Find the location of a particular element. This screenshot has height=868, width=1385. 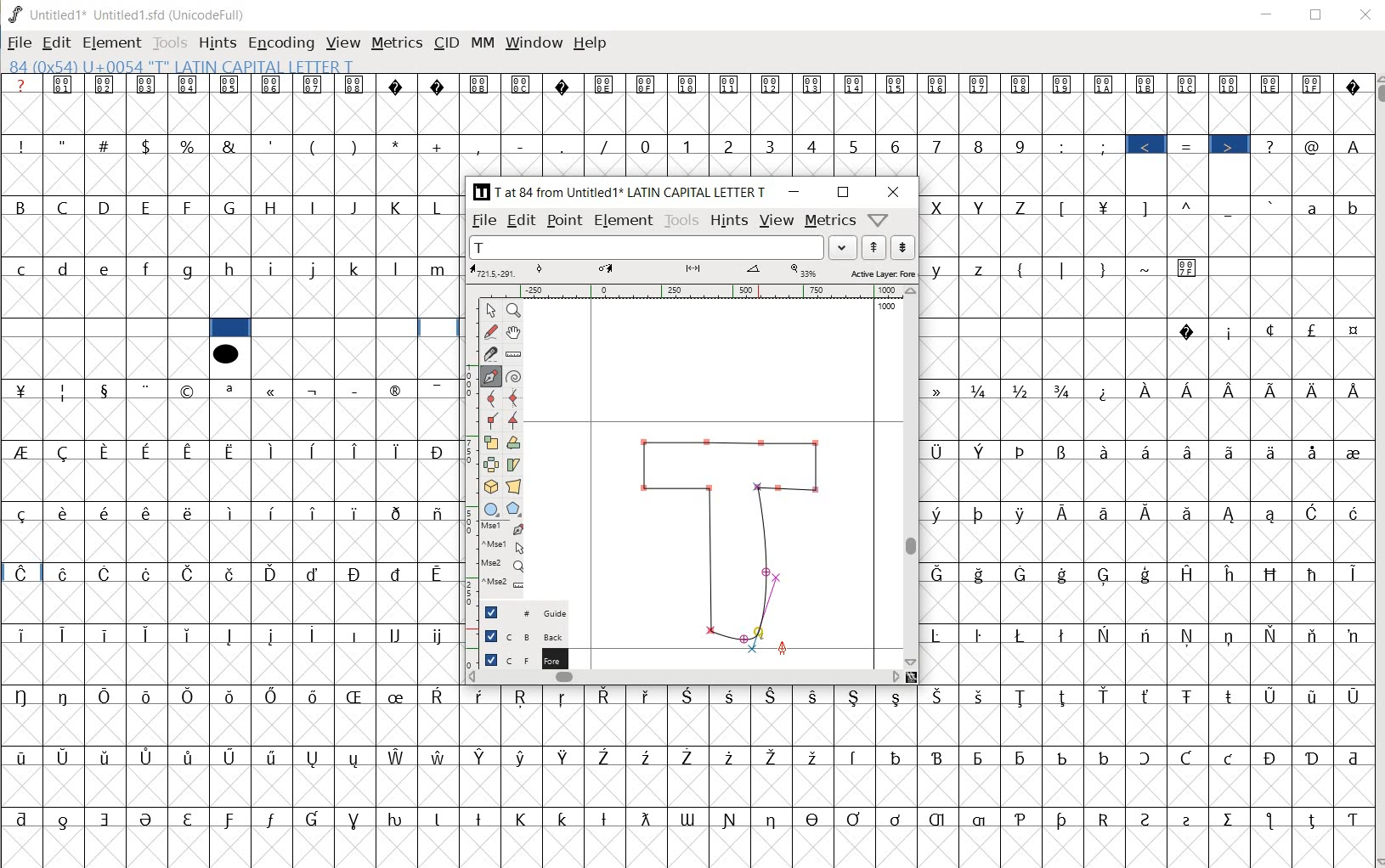

ruler is located at coordinates (467, 448).